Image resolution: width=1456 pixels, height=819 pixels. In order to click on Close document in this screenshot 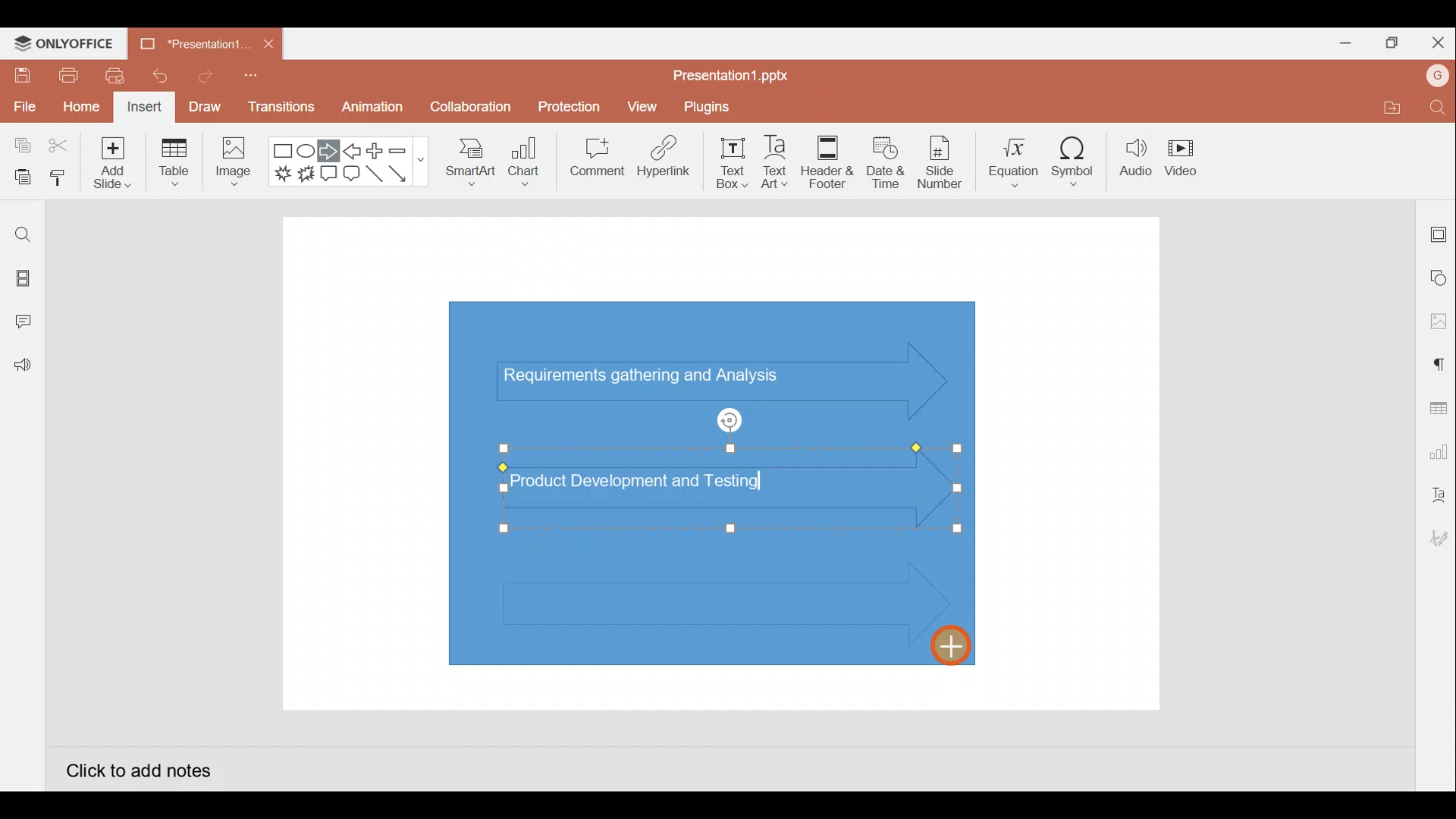, I will do `click(268, 40)`.